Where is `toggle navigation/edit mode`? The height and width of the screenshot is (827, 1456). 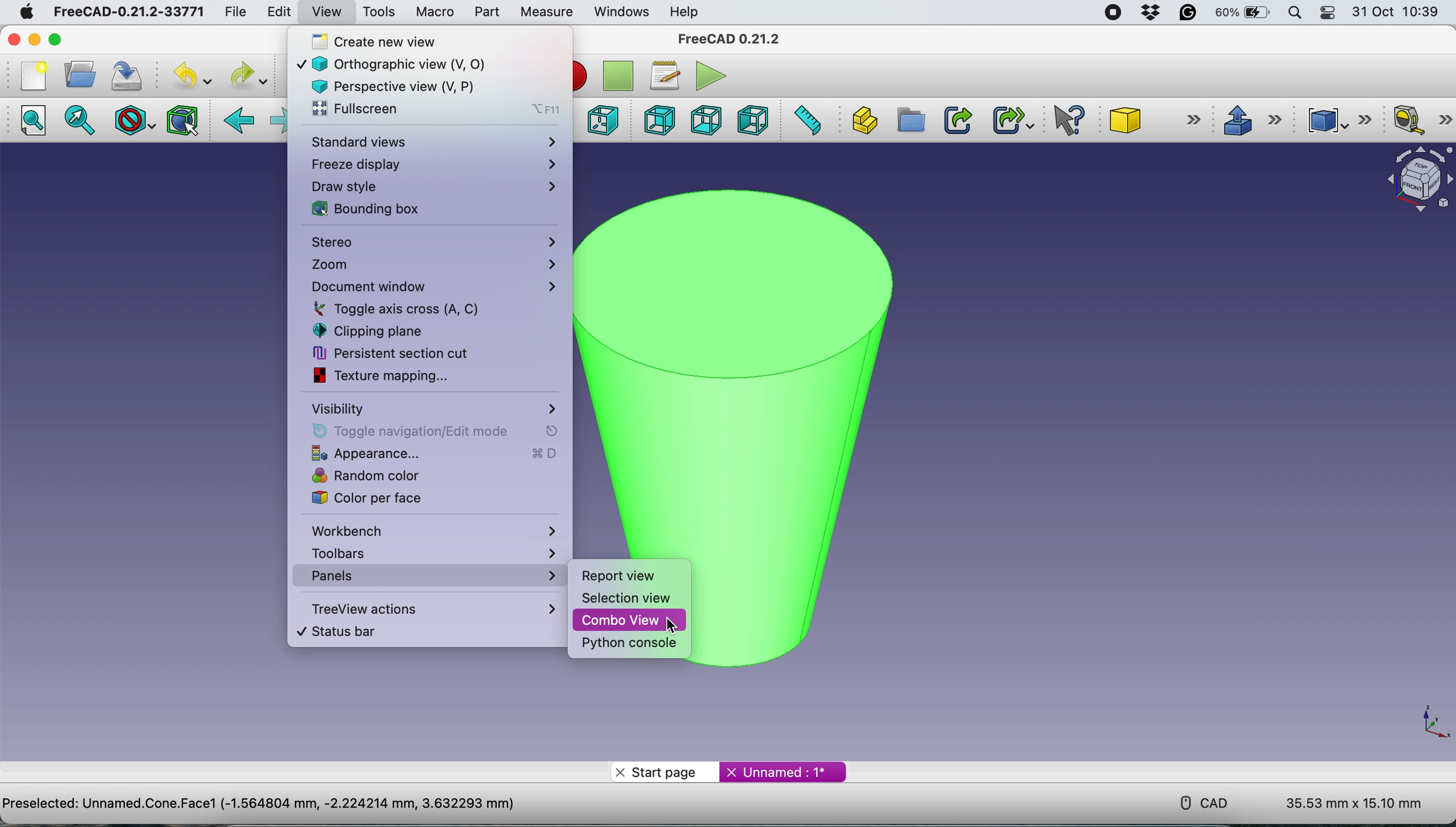
toggle navigation/edit mode is located at coordinates (427, 431).